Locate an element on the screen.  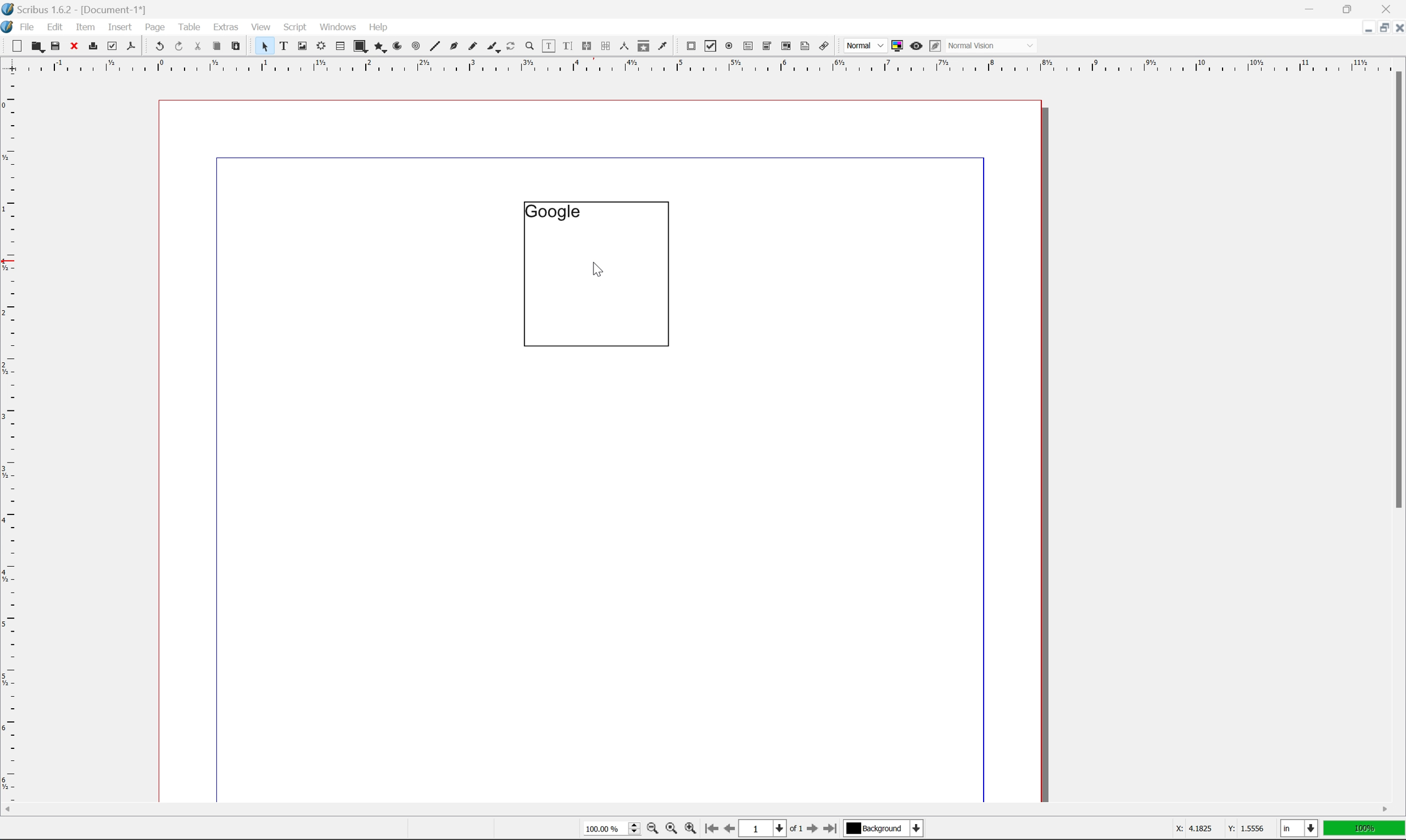
go to previous page is located at coordinates (730, 830).